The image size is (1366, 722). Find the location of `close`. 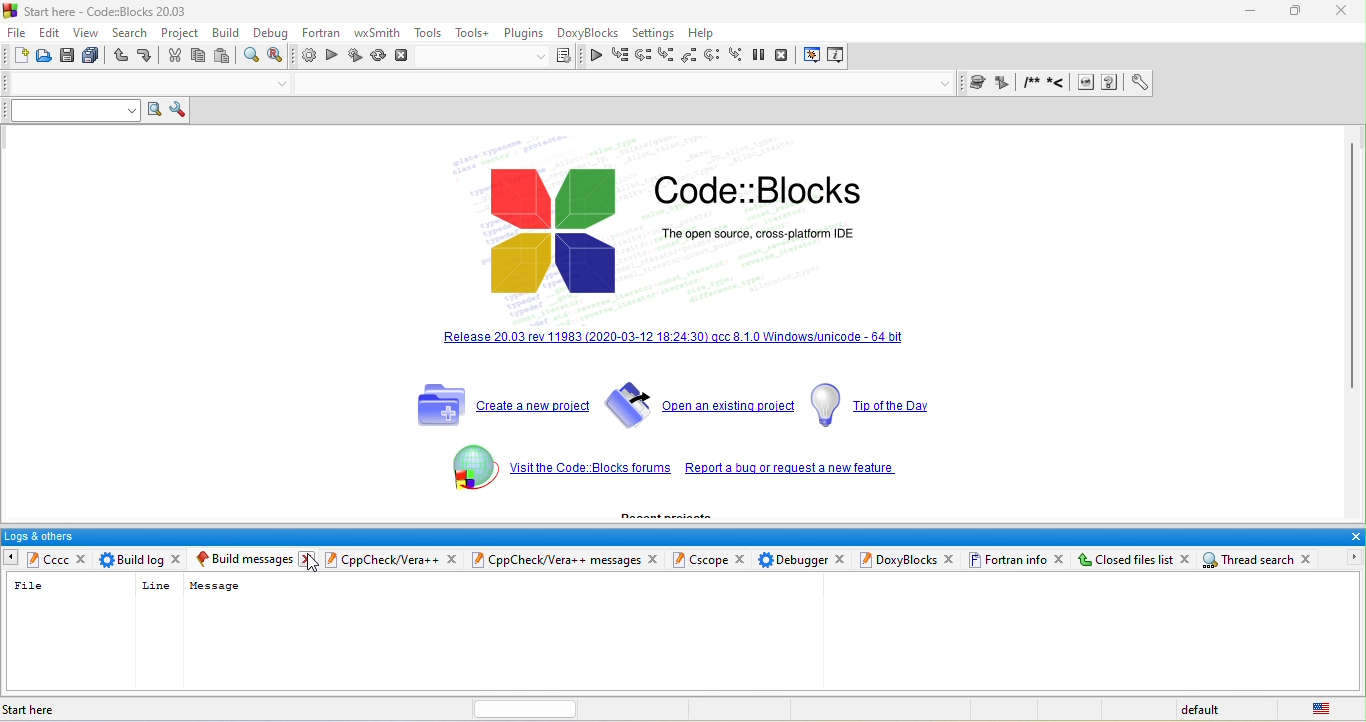

close is located at coordinates (951, 559).